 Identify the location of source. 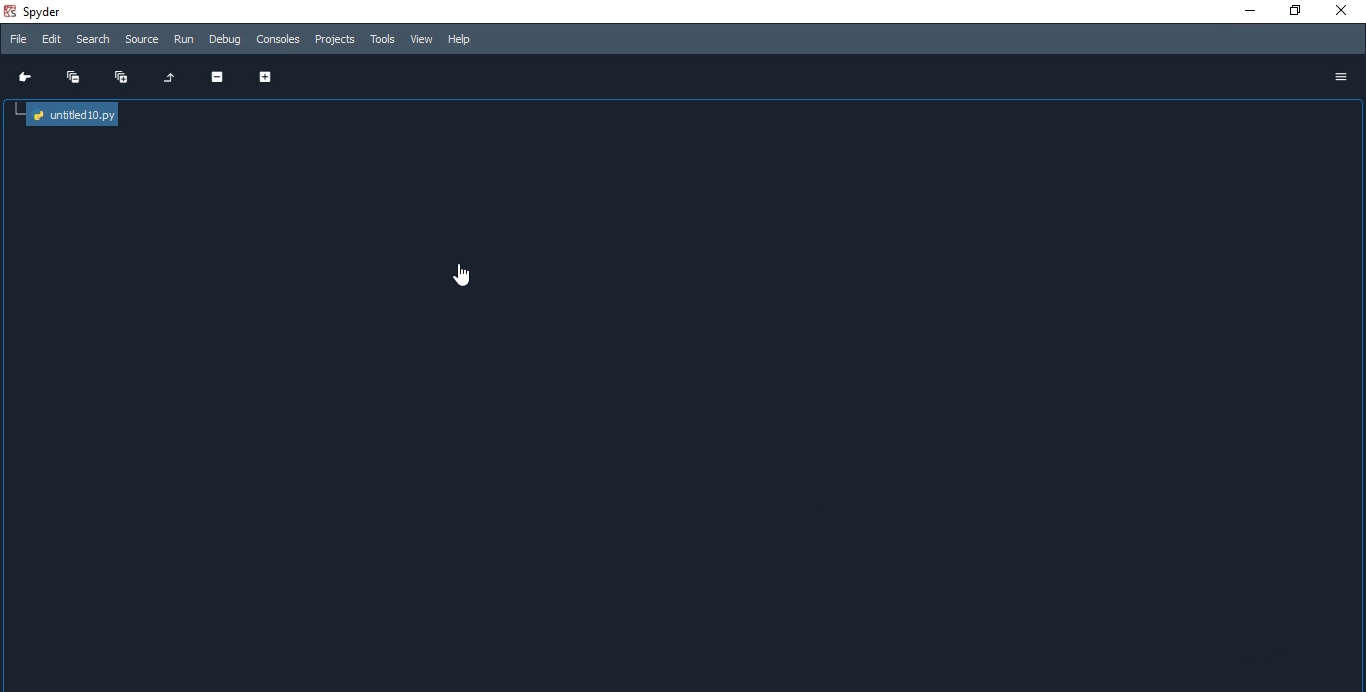
(144, 39).